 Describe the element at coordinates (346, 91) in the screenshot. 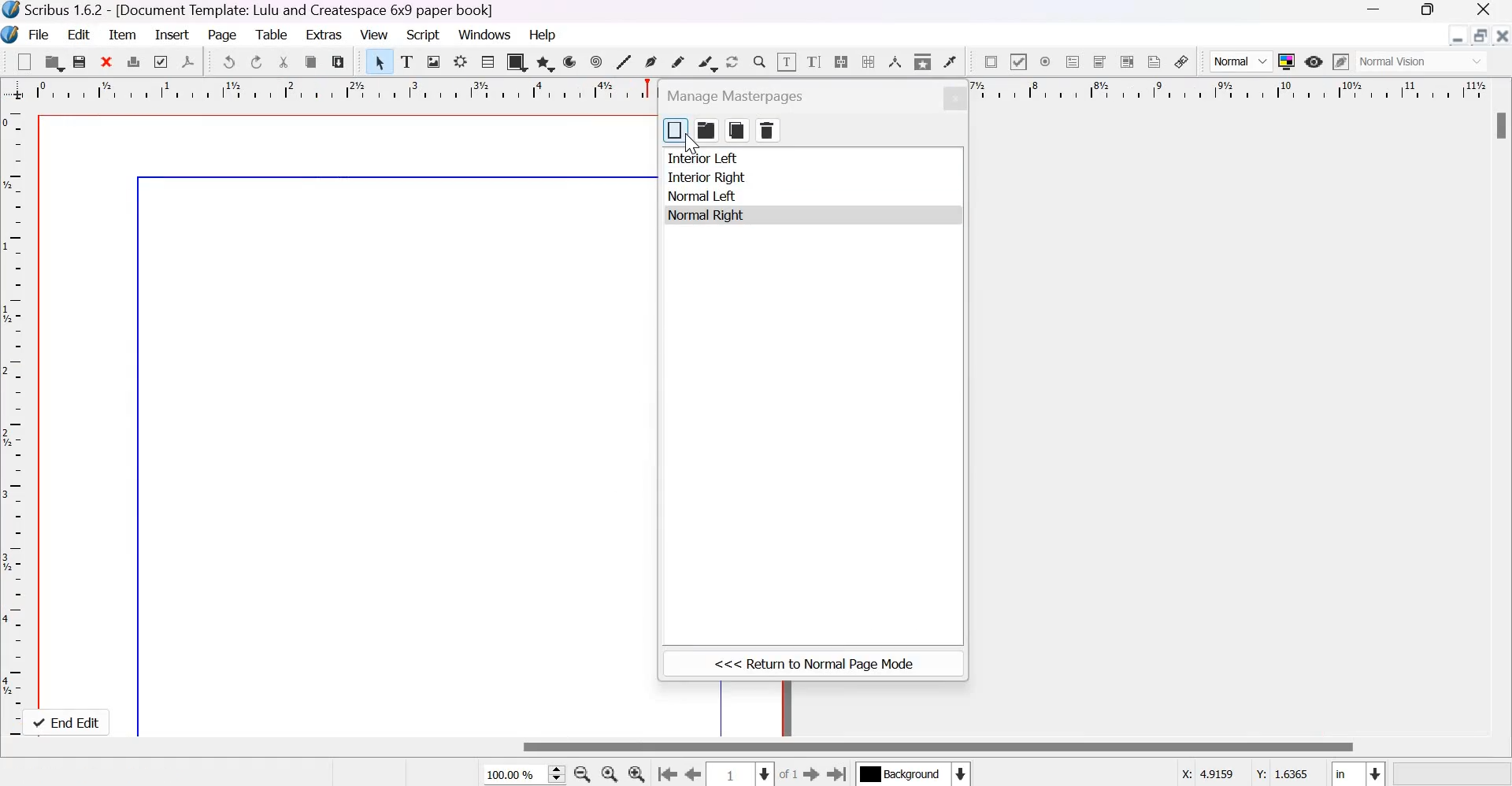

I see `horizontal scale` at that location.